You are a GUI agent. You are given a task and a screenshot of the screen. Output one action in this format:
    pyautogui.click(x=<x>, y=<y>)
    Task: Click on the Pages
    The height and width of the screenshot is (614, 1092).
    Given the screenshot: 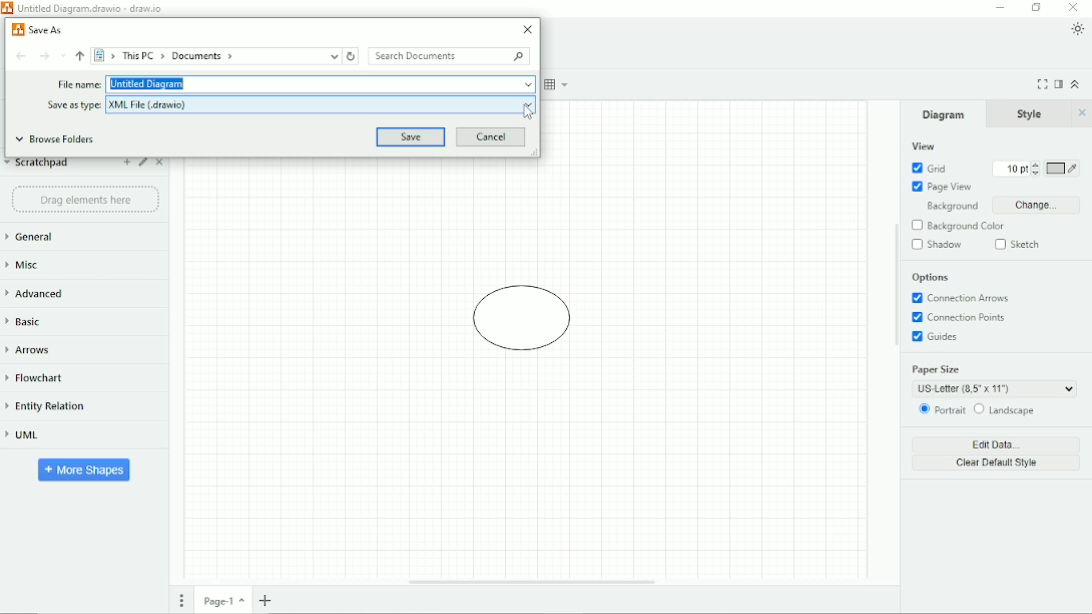 What is the action you would take?
    pyautogui.click(x=182, y=602)
    